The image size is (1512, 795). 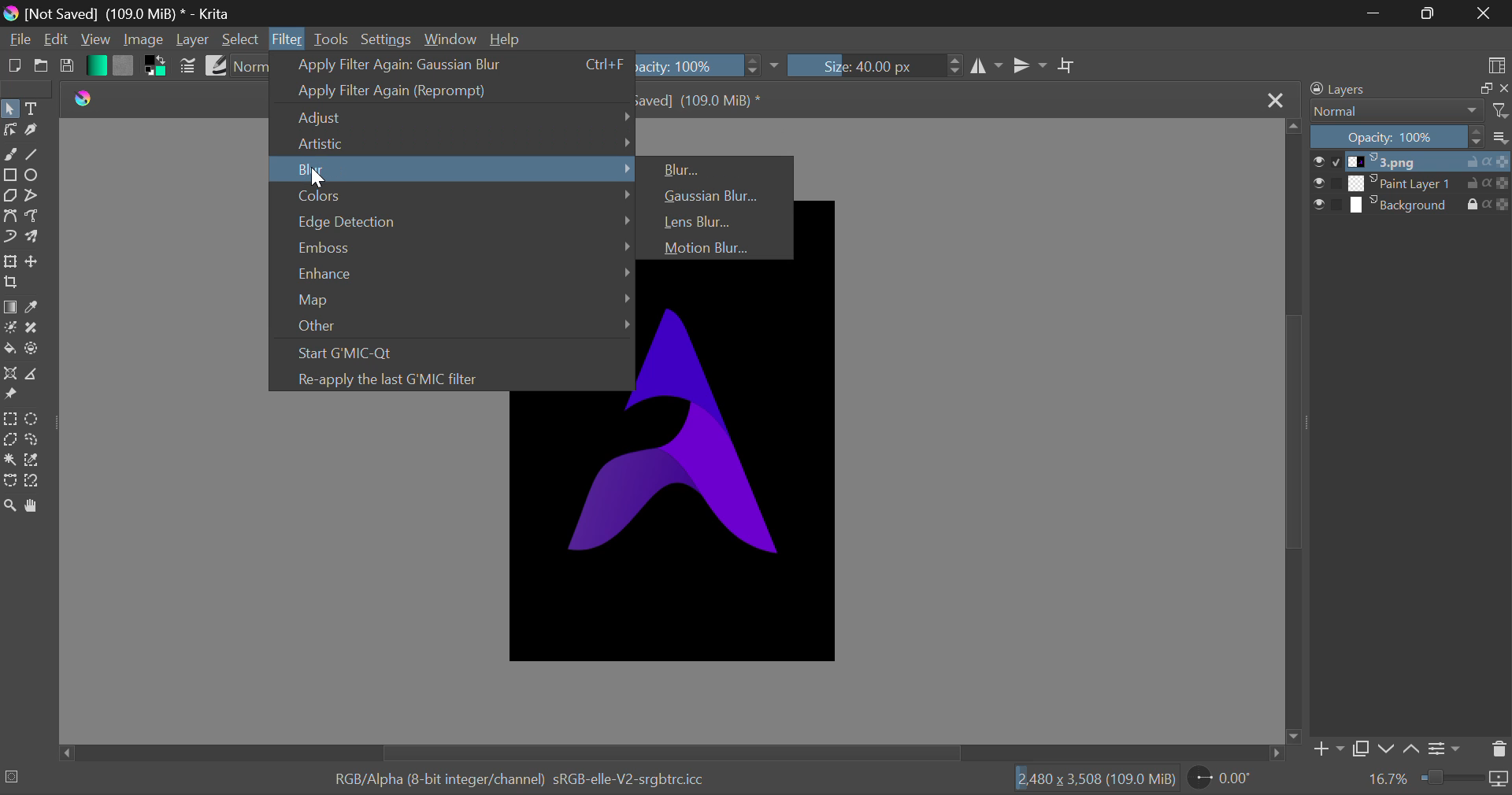 What do you see at coordinates (33, 351) in the screenshot?
I see `Enclose and Fill` at bounding box center [33, 351].